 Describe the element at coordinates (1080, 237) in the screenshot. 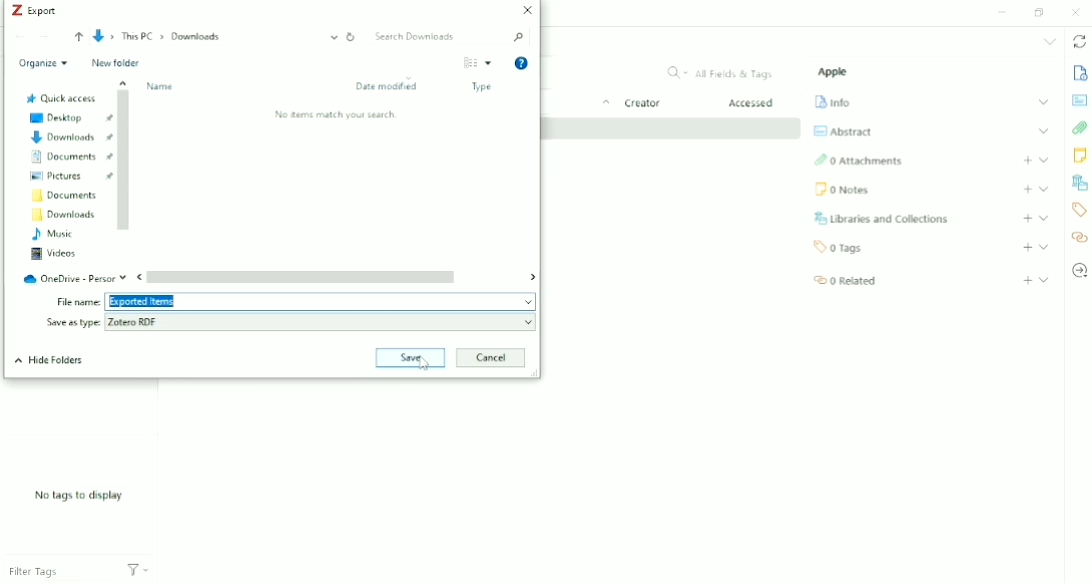

I see `Related` at that location.